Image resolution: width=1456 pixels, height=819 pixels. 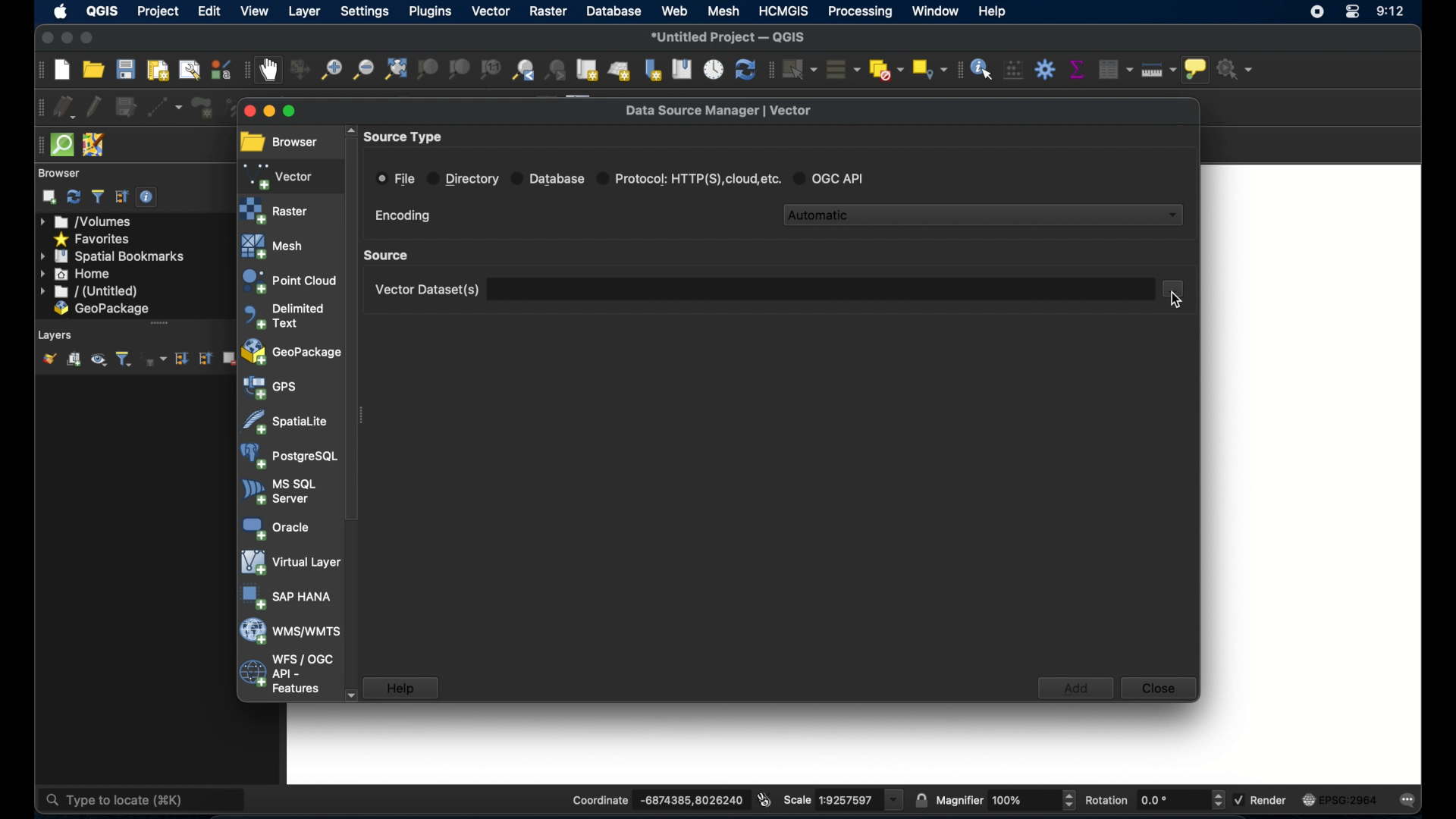 I want to click on toggle editing, so click(x=93, y=105).